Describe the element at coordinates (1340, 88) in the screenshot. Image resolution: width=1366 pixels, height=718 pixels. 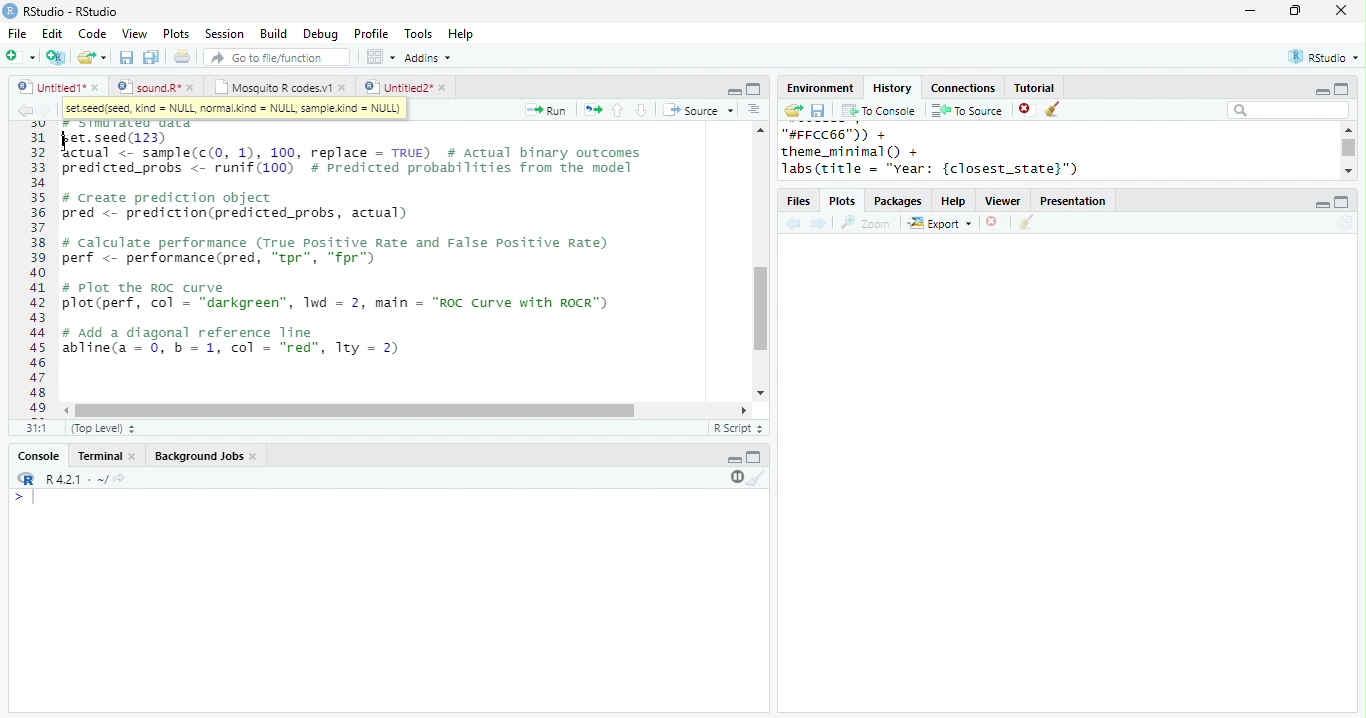
I see `maximize` at that location.